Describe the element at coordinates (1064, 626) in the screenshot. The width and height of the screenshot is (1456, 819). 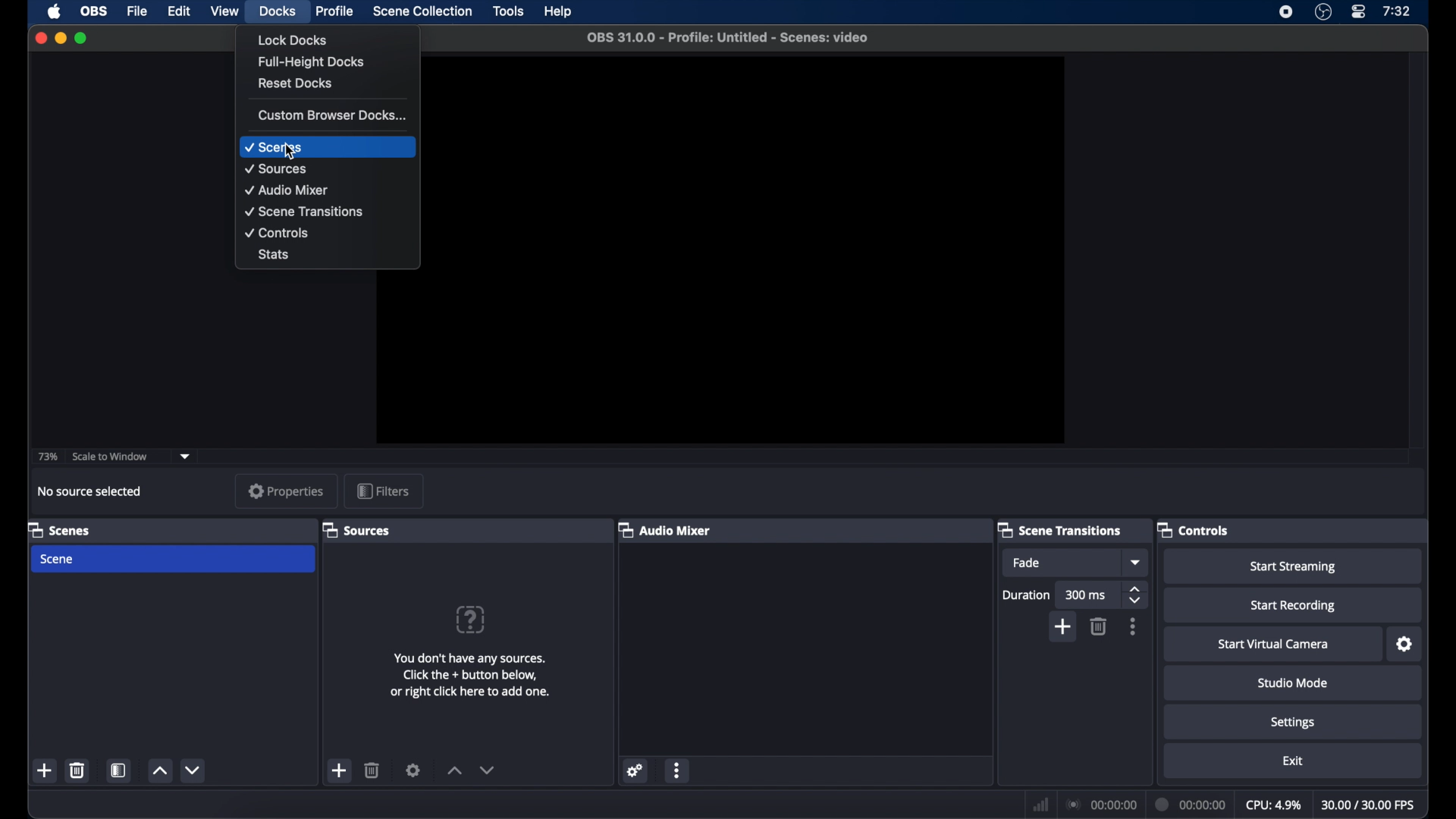
I see `add` at that location.